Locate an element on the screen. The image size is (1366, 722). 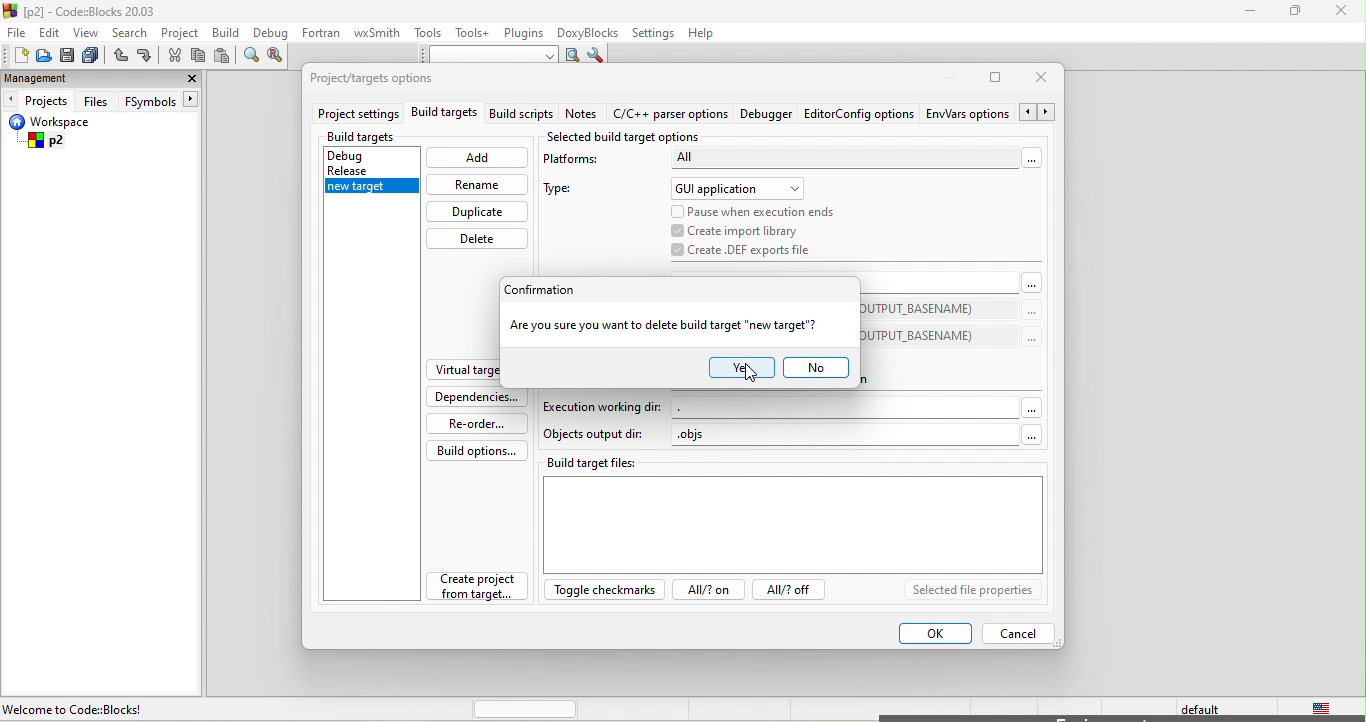
delete is located at coordinates (479, 239).